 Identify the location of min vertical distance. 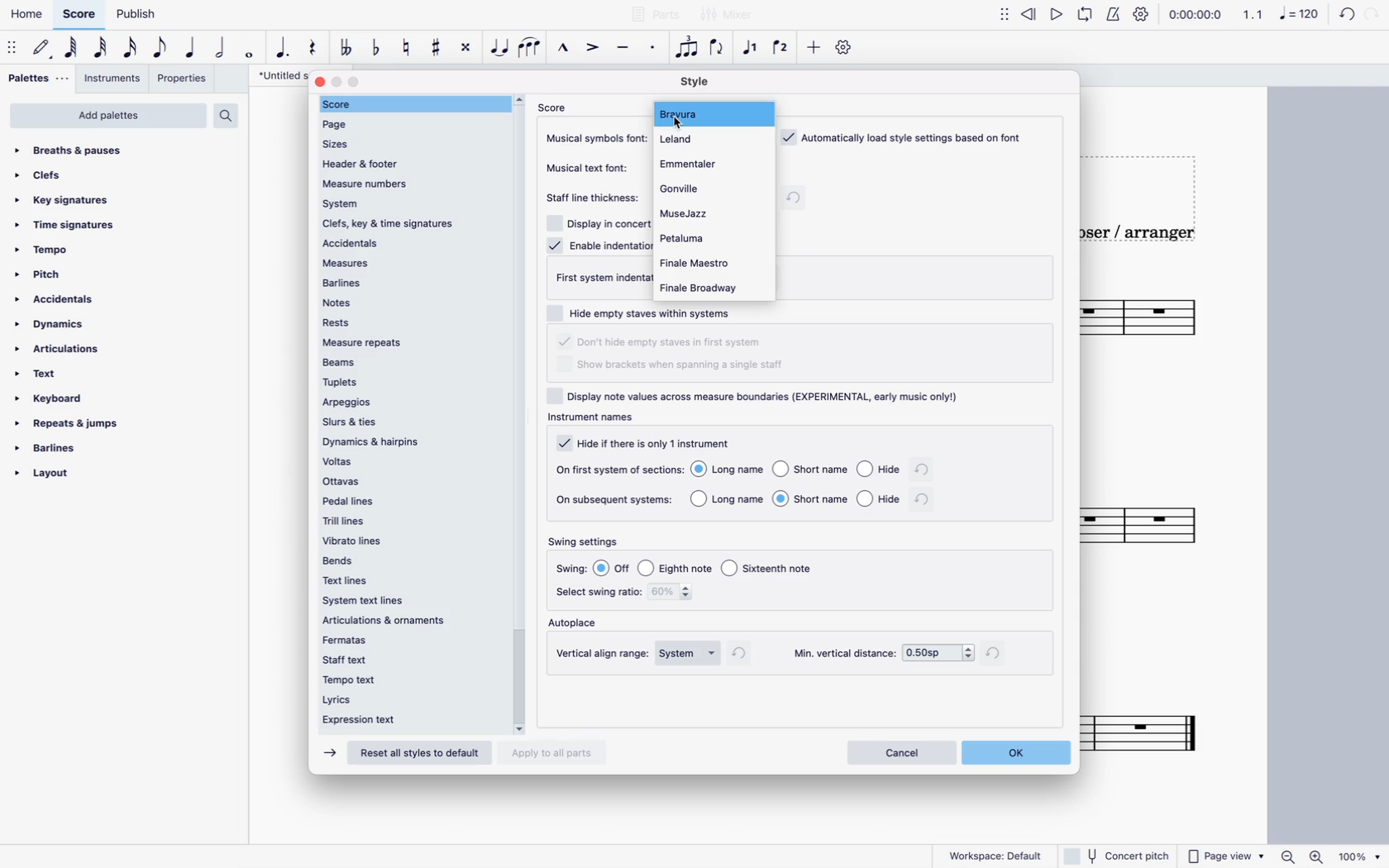
(842, 654).